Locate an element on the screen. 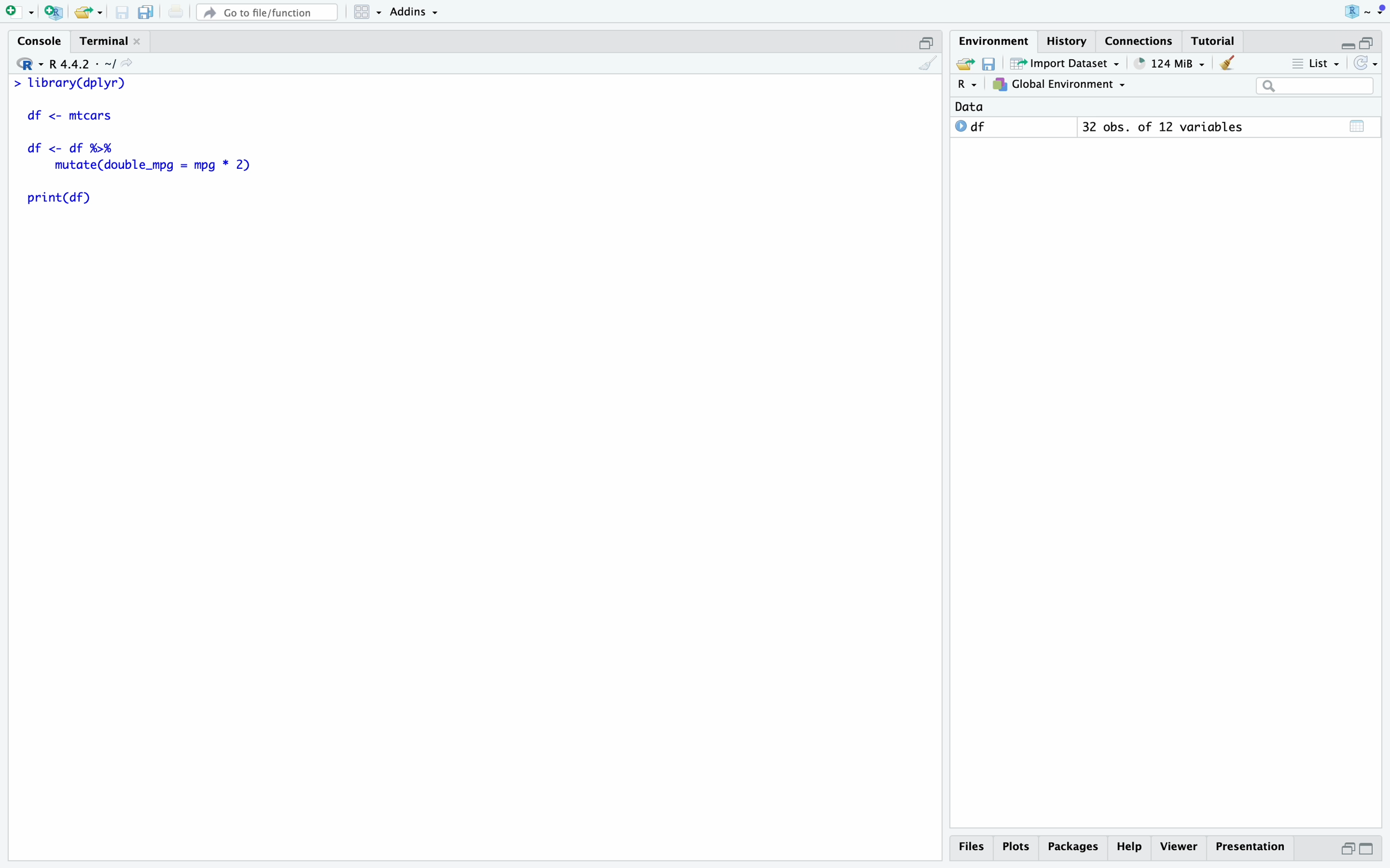  save is located at coordinates (991, 64).